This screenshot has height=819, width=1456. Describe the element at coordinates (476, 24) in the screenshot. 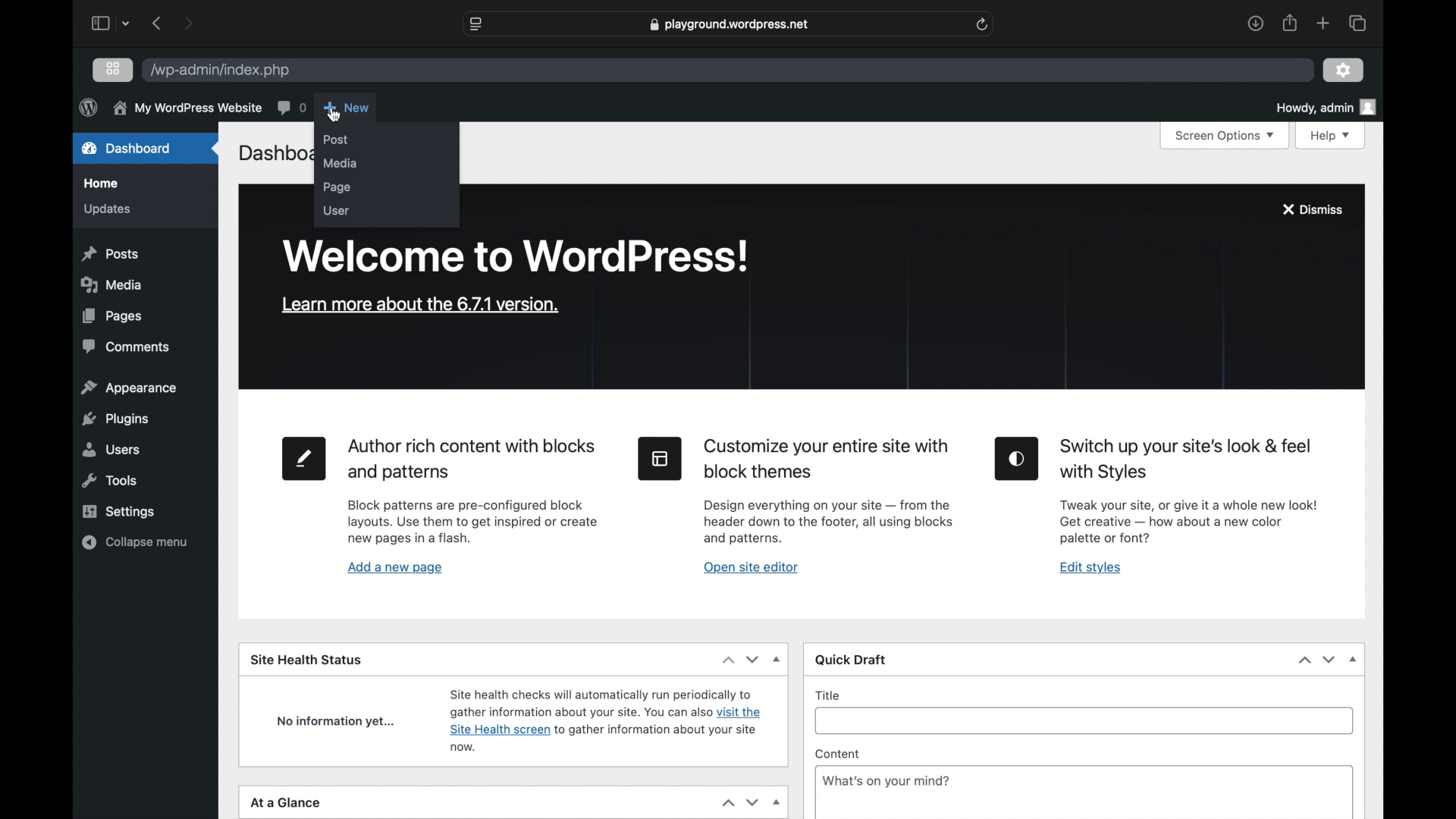

I see `website settings` at that location.